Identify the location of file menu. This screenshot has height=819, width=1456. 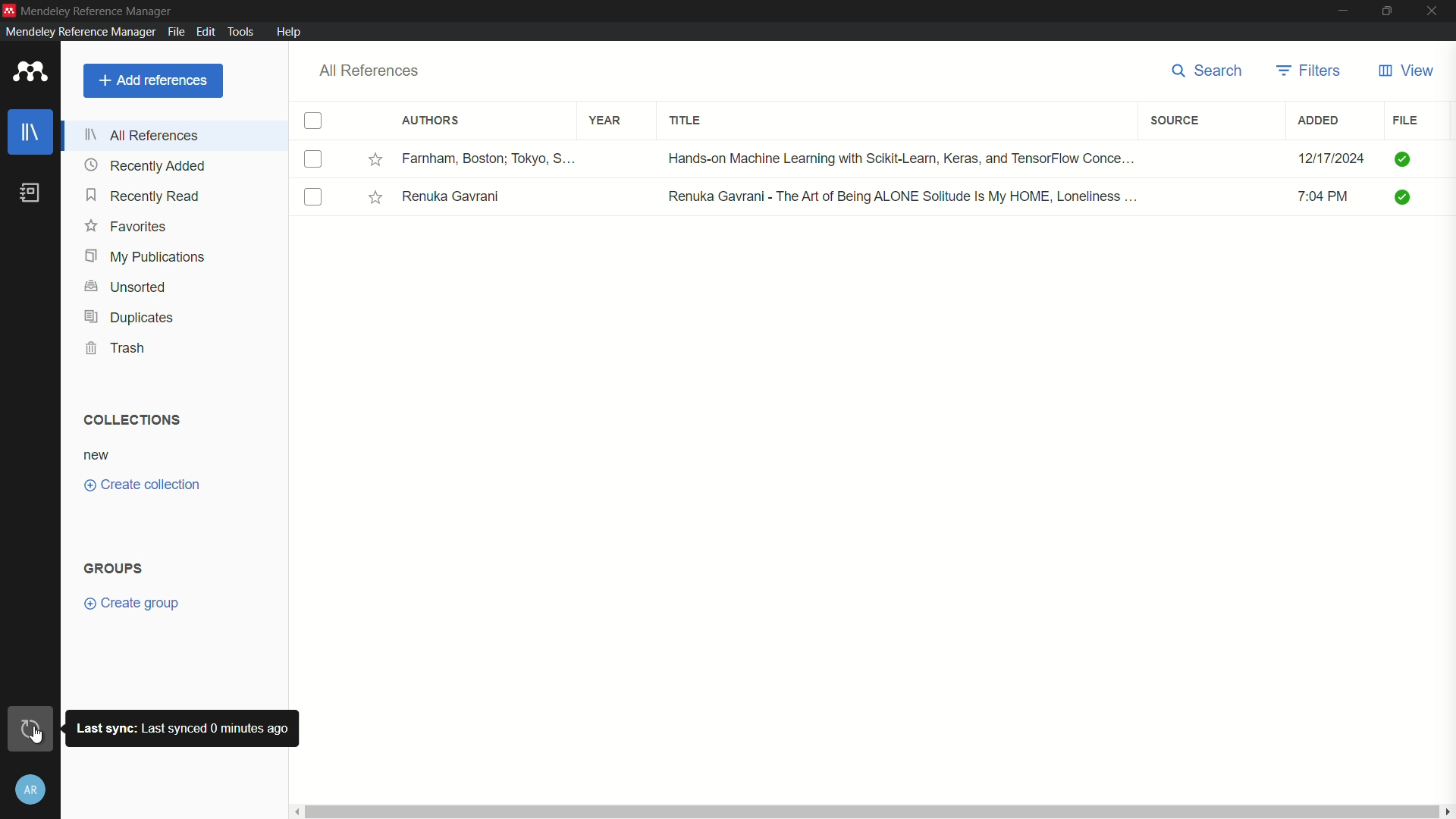
(174, 30).